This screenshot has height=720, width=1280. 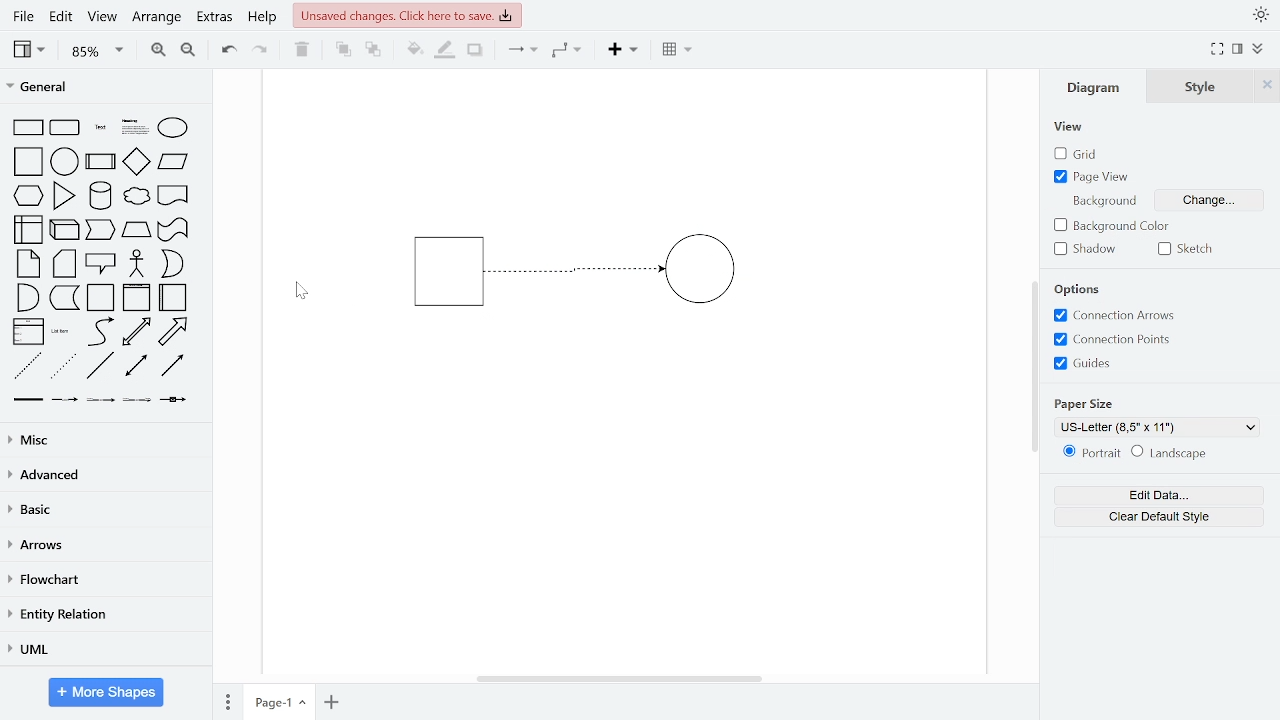 What do you see at coordinates (32, 49) in the screenshot?
I see `view` at bounding box center [32, 49].